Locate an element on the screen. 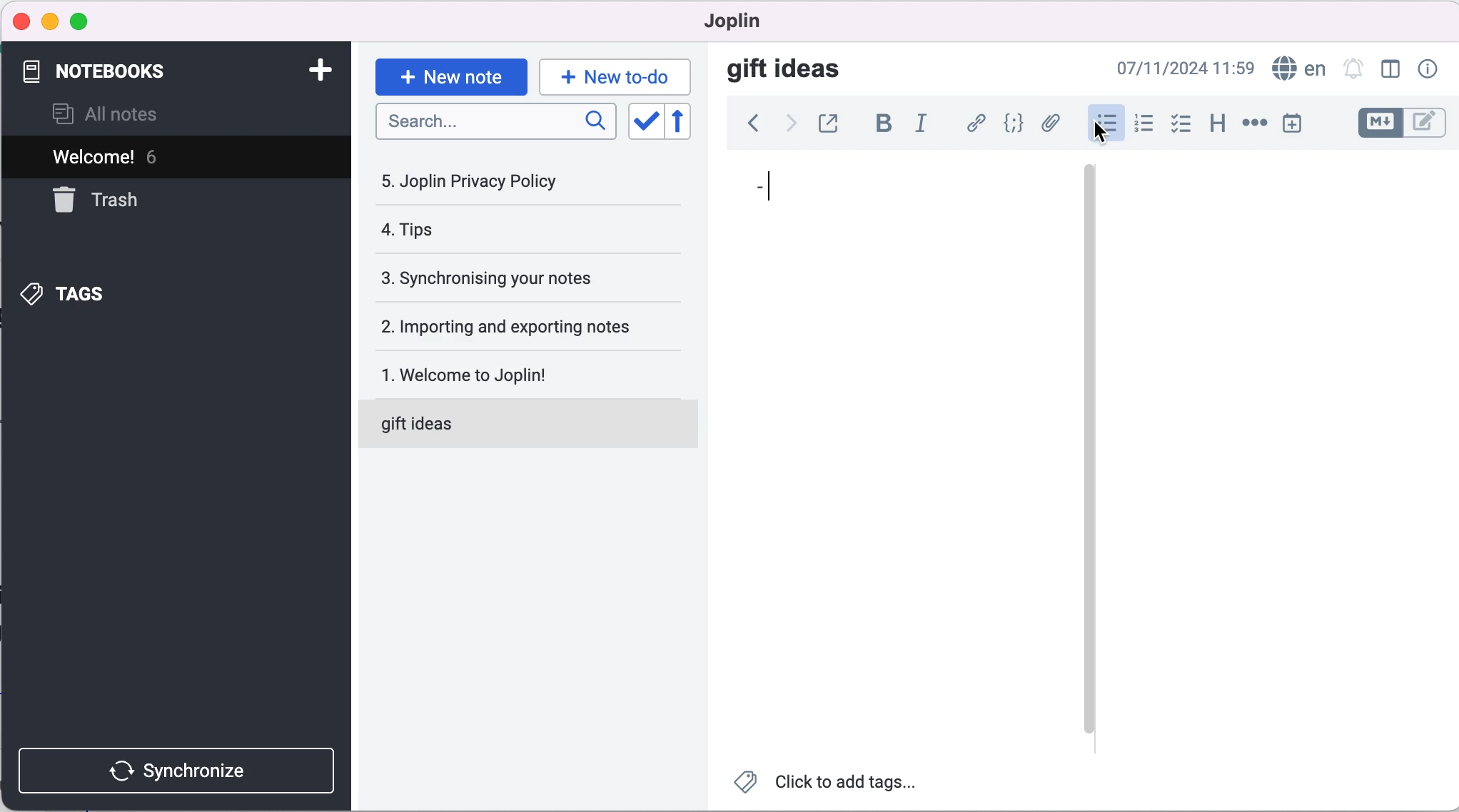  bullet 1 is located at coordinates (877, 195).